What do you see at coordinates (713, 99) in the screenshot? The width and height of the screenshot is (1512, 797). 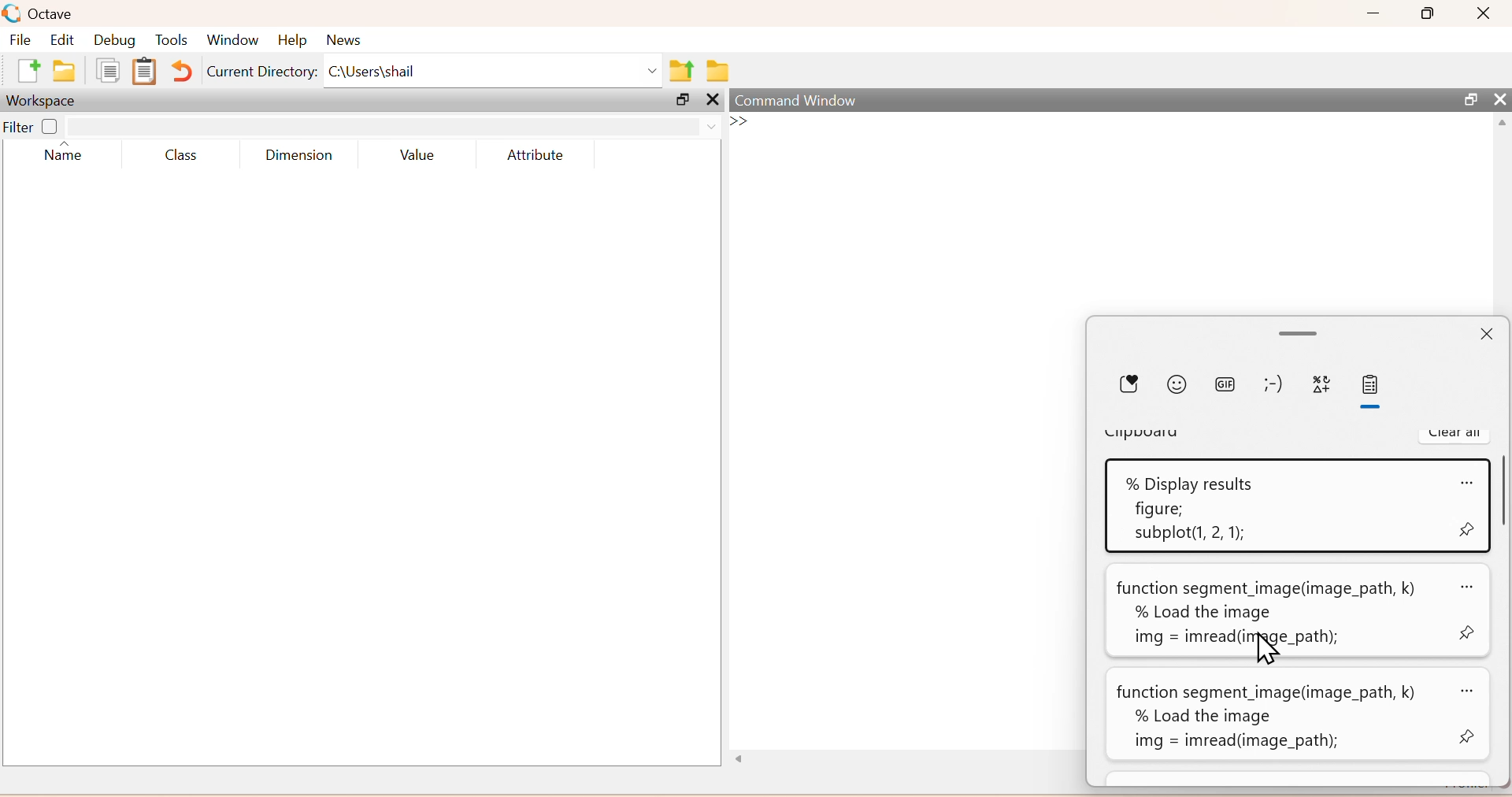 I see `` at bounding box center [713, 99].